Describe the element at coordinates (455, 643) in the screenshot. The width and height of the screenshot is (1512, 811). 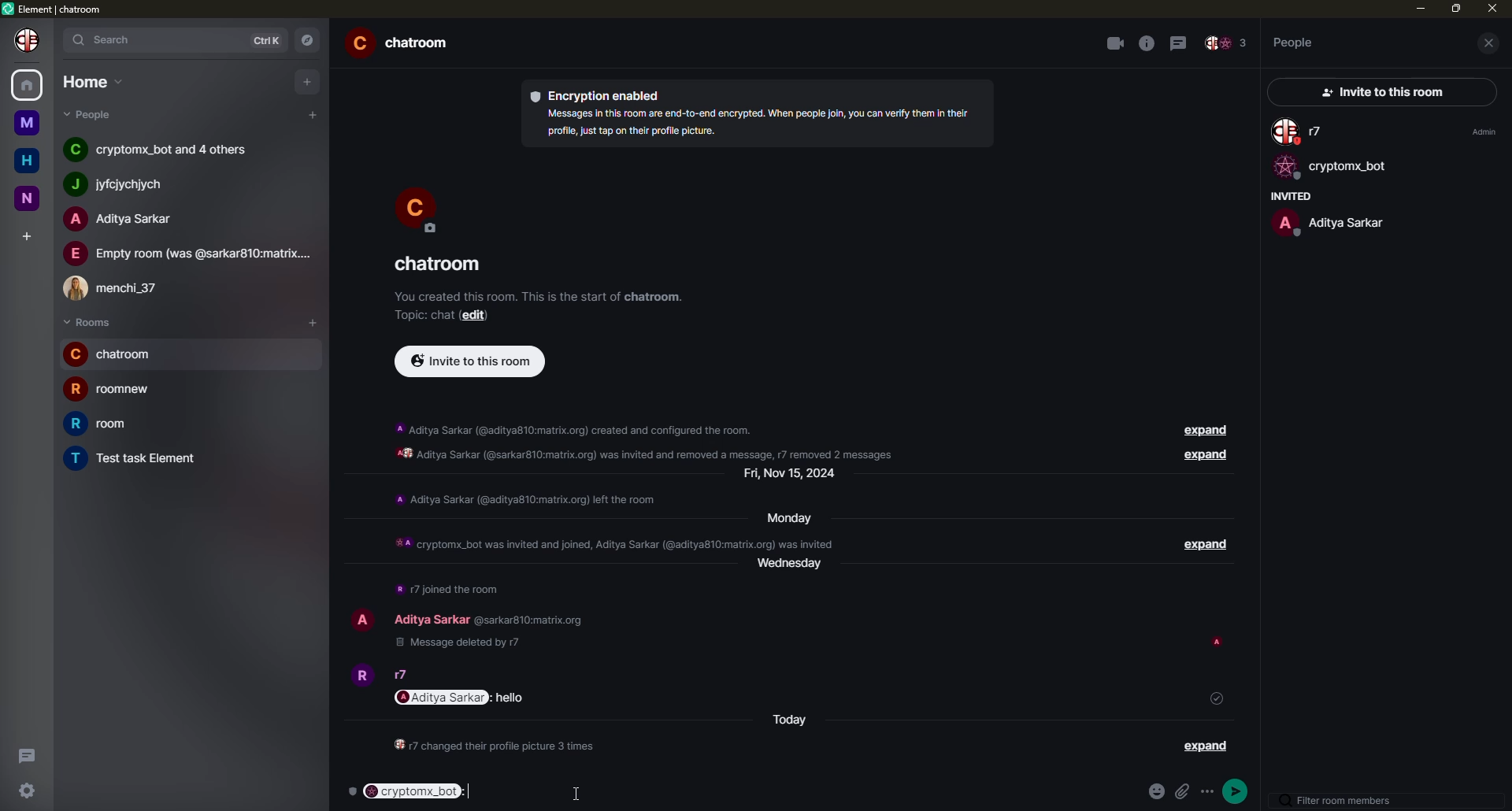
I see `deleted` at that location.